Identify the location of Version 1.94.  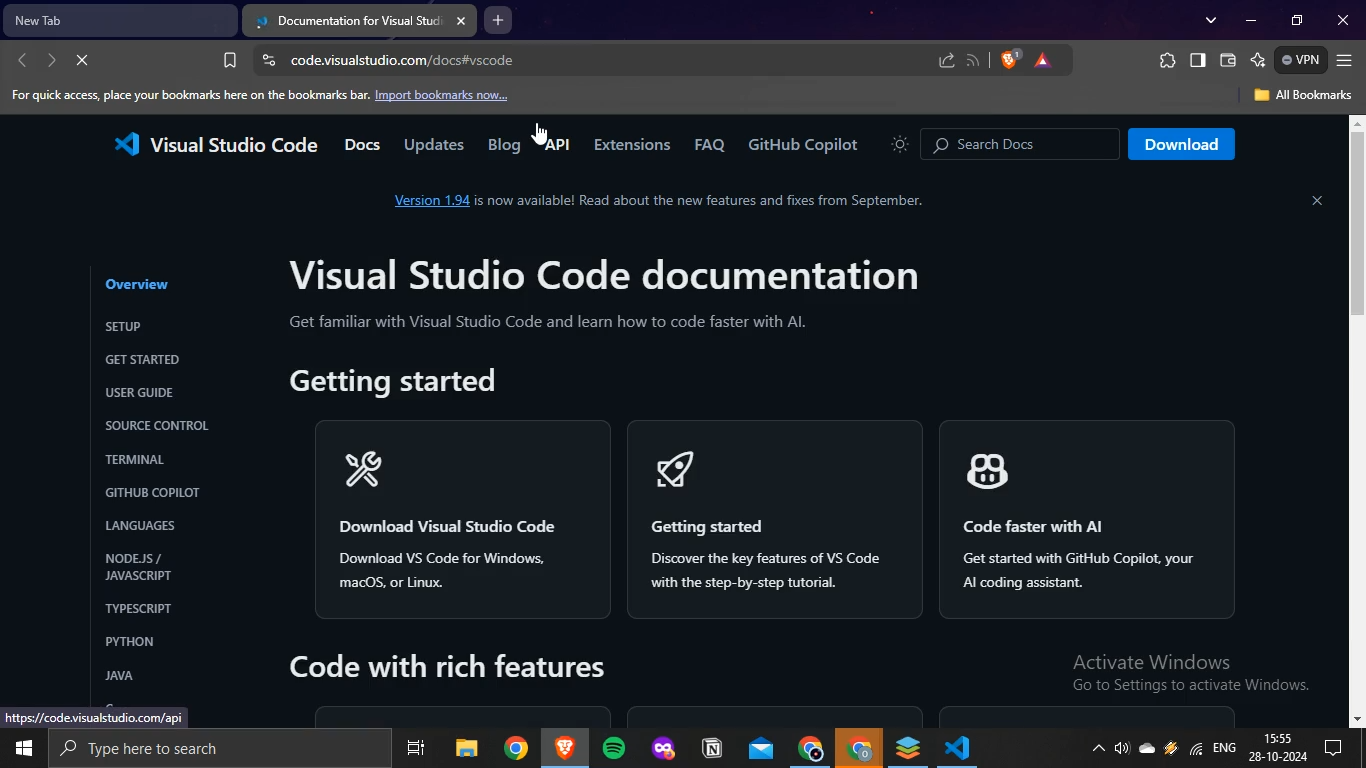
(429, 200).